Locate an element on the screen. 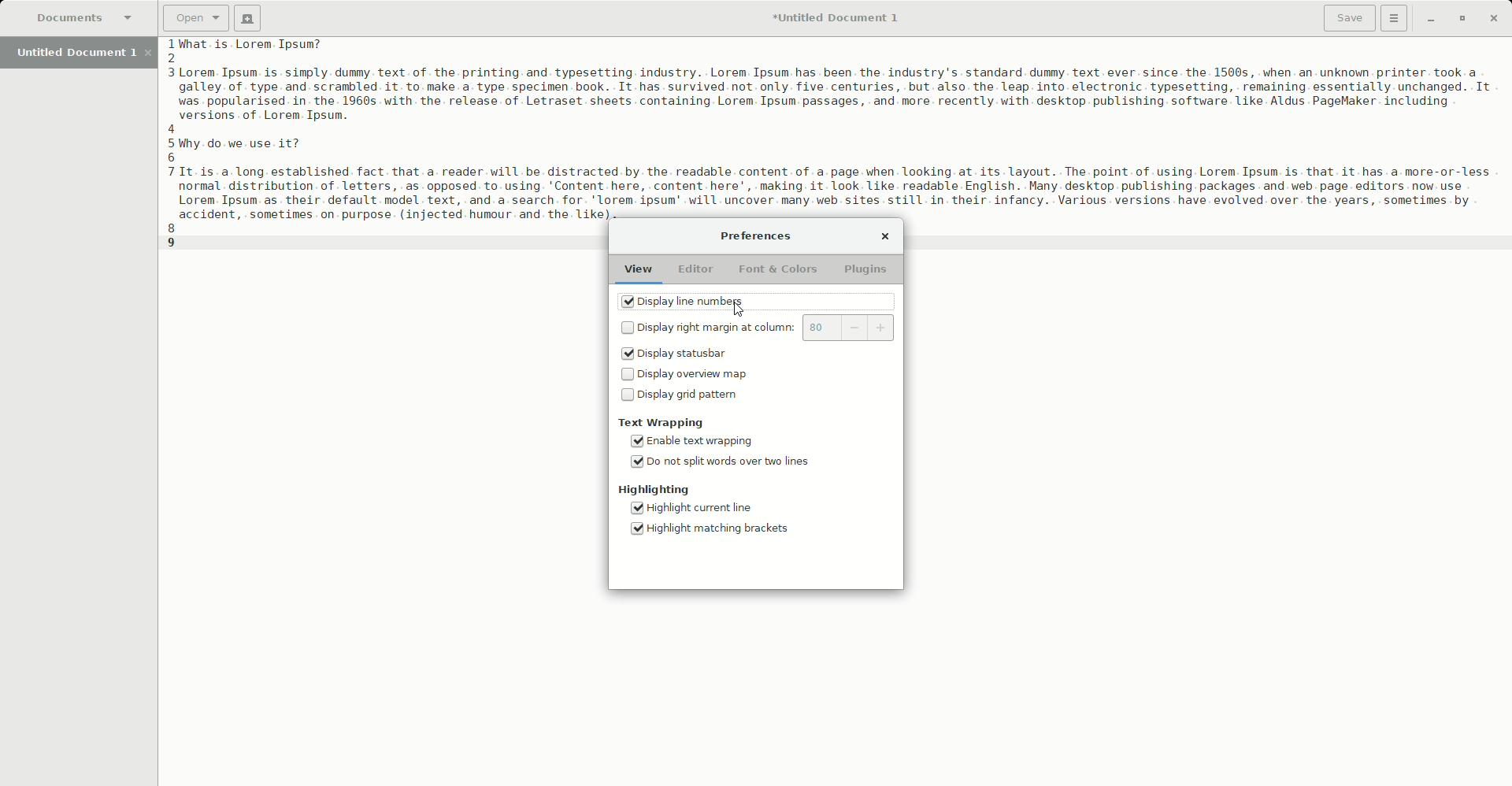 Image resolution: width=1512 pixels, height=786 pixels. Editor is located at coordinates (697, 270).